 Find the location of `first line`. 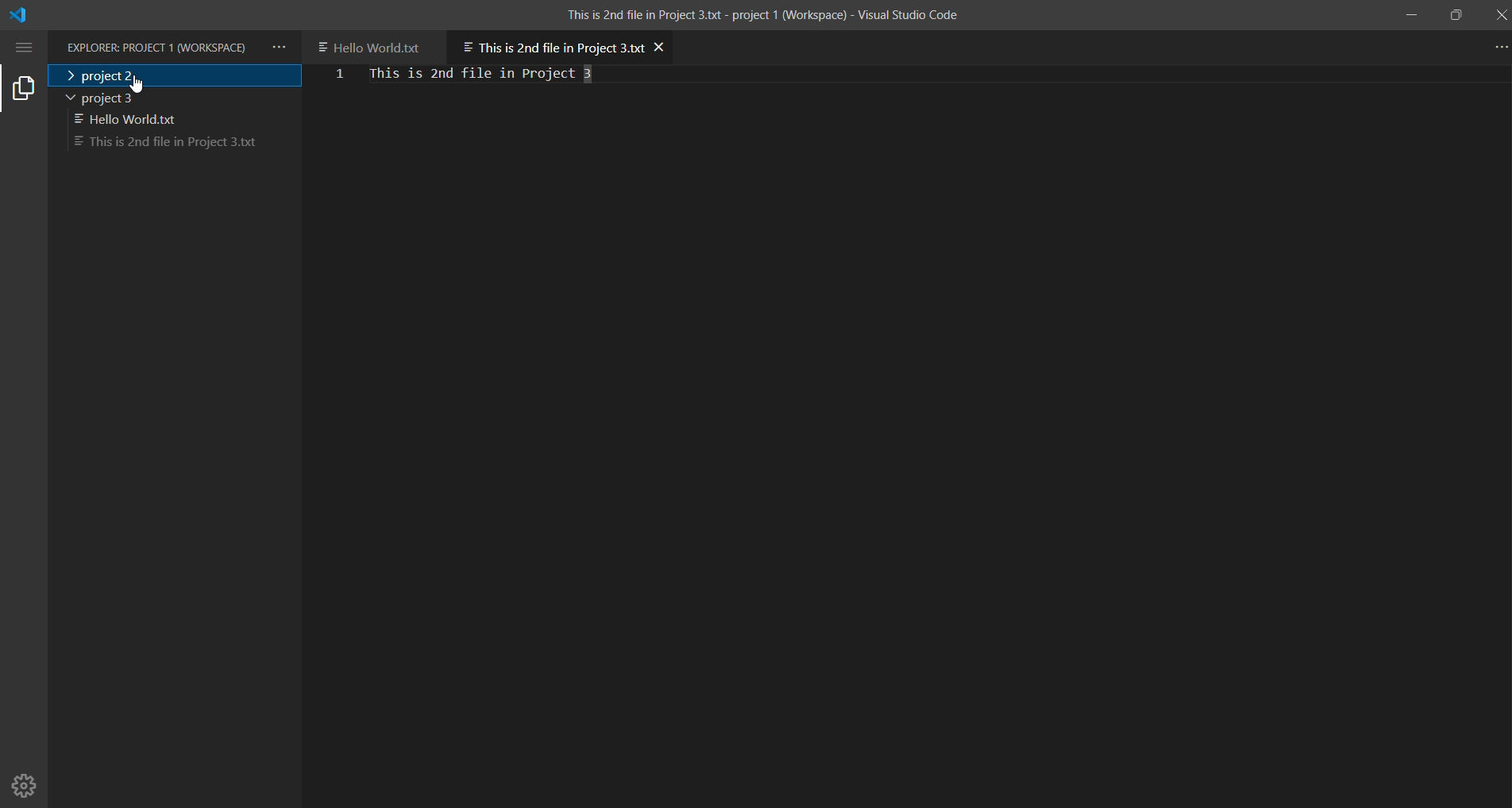

first line is located at coordinates (340, 76).